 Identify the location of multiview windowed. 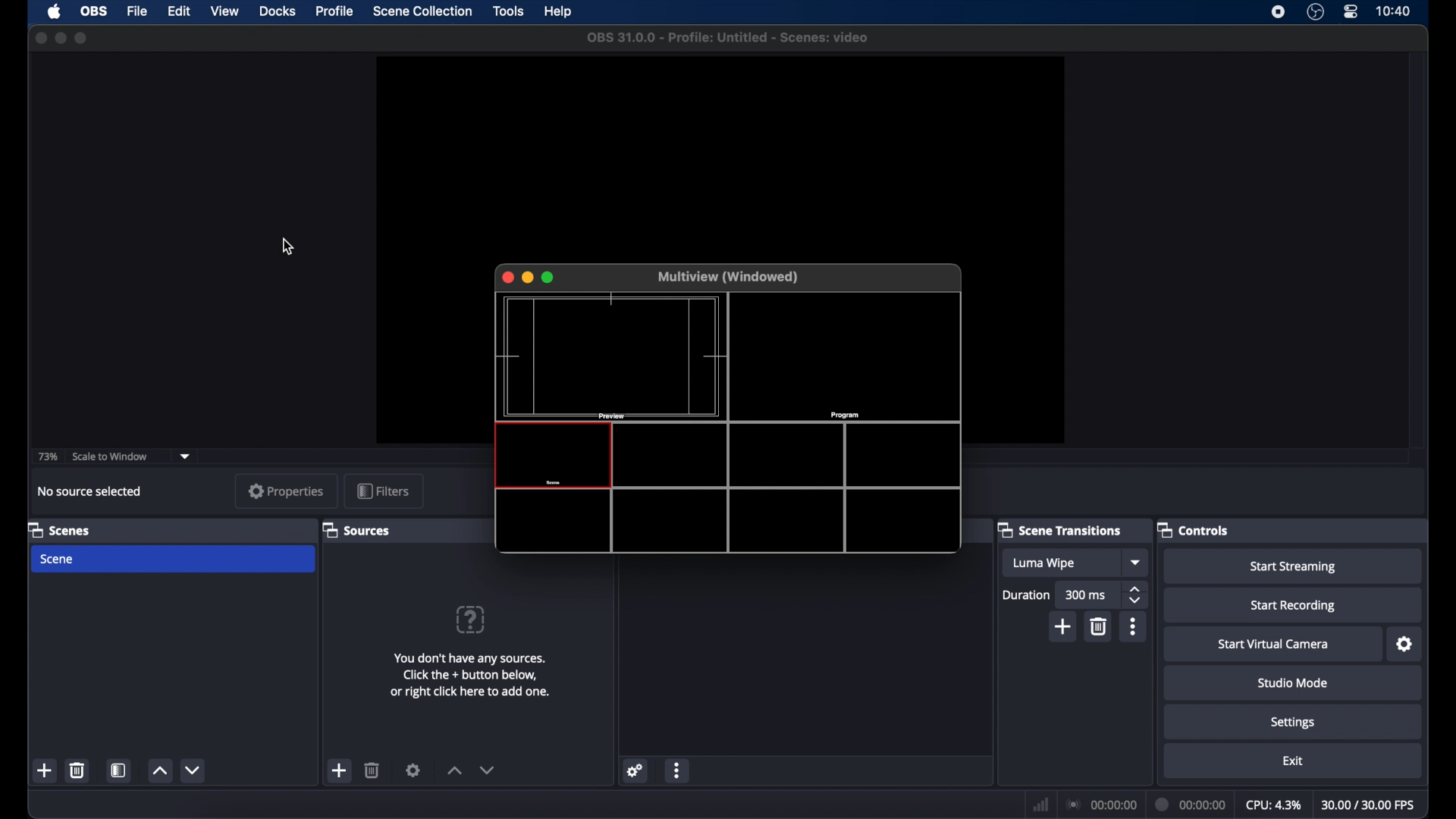
(729, 427).